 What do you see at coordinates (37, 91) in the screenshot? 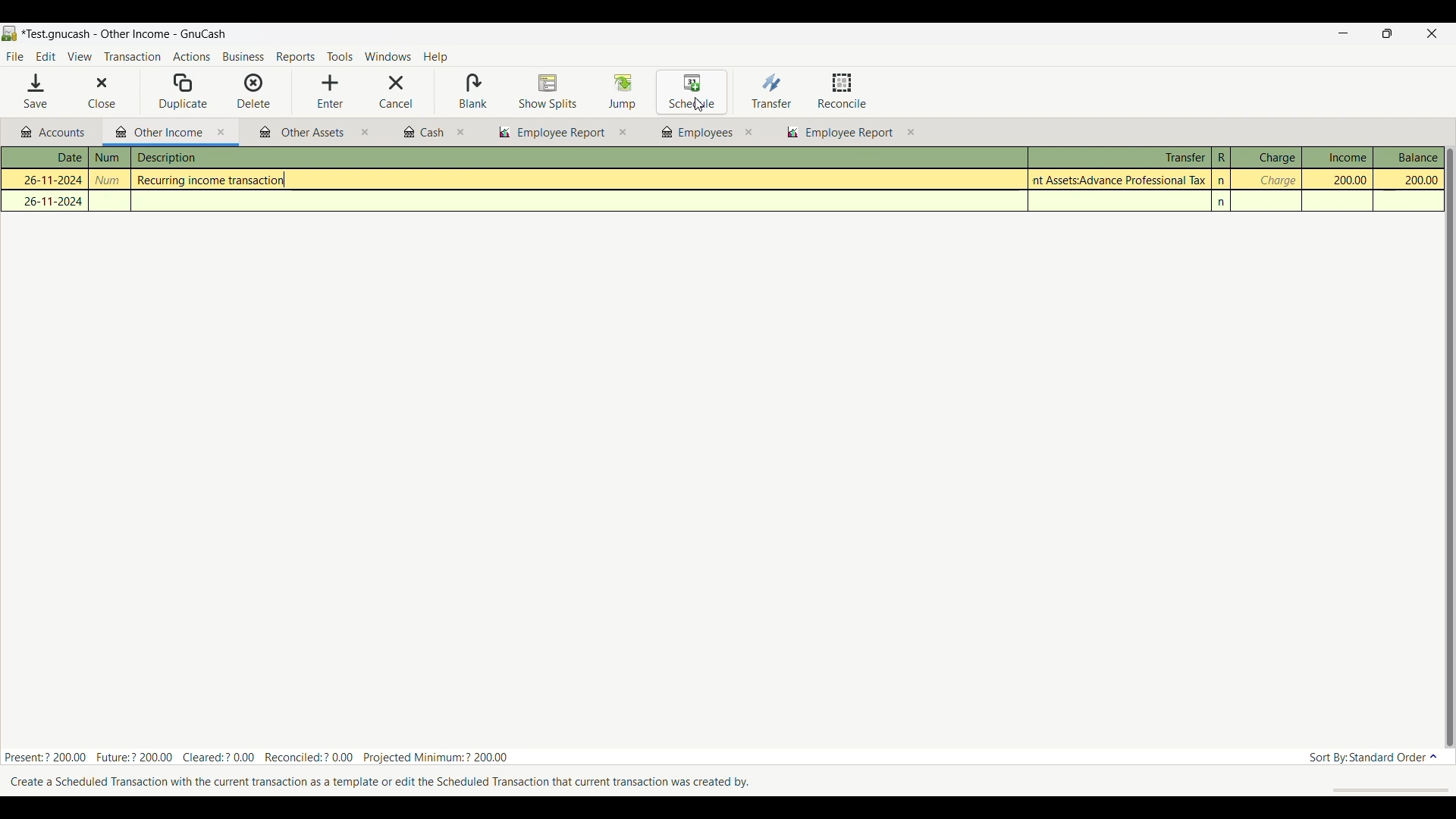
I see `Save menu` at bounding box center [37, 91].